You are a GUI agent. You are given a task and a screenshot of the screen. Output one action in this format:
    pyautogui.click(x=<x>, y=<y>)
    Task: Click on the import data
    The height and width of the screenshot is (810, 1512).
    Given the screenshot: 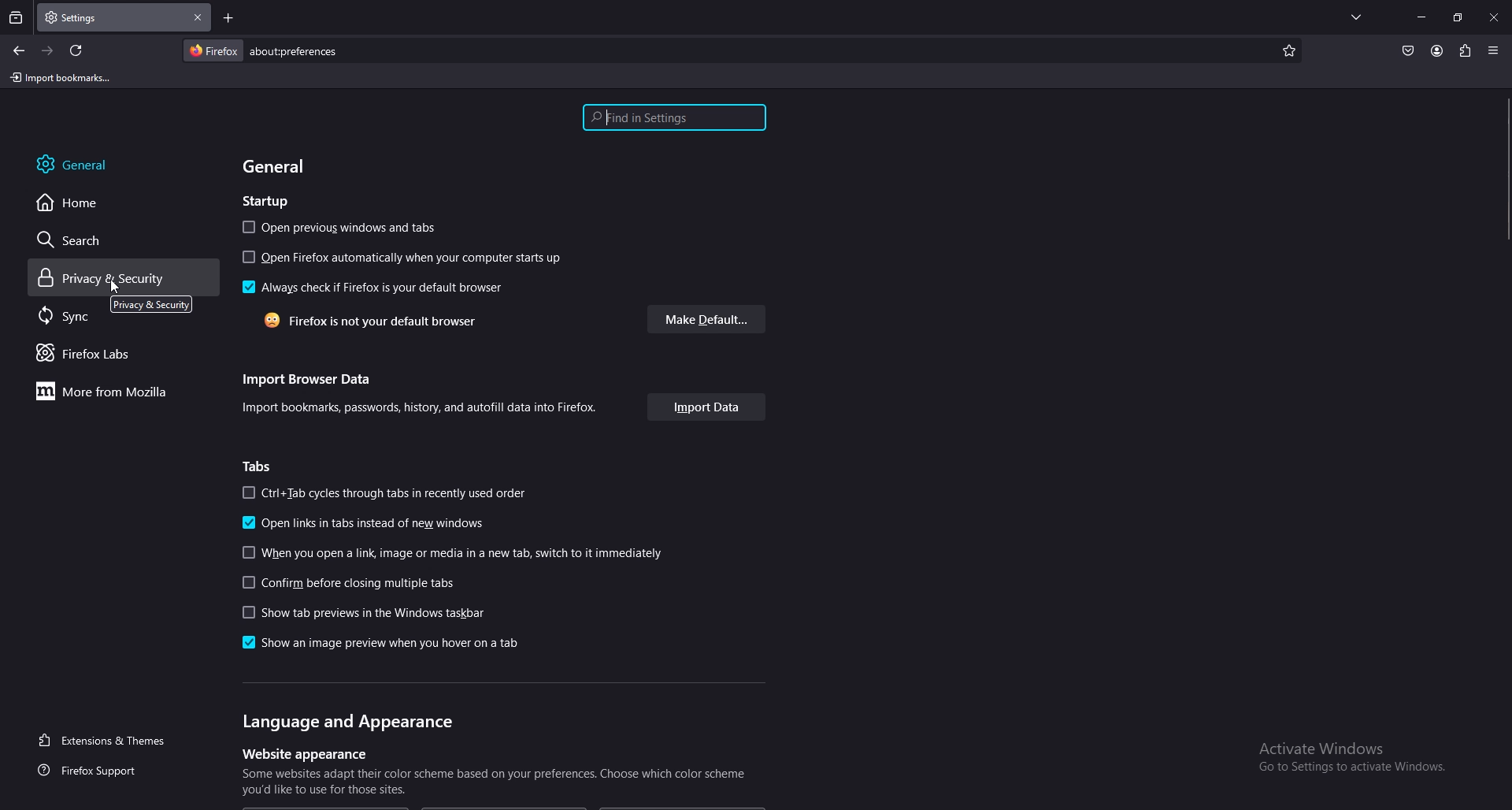 What is the action you would take?
    pyautogui.click(x=705, y=407)
    